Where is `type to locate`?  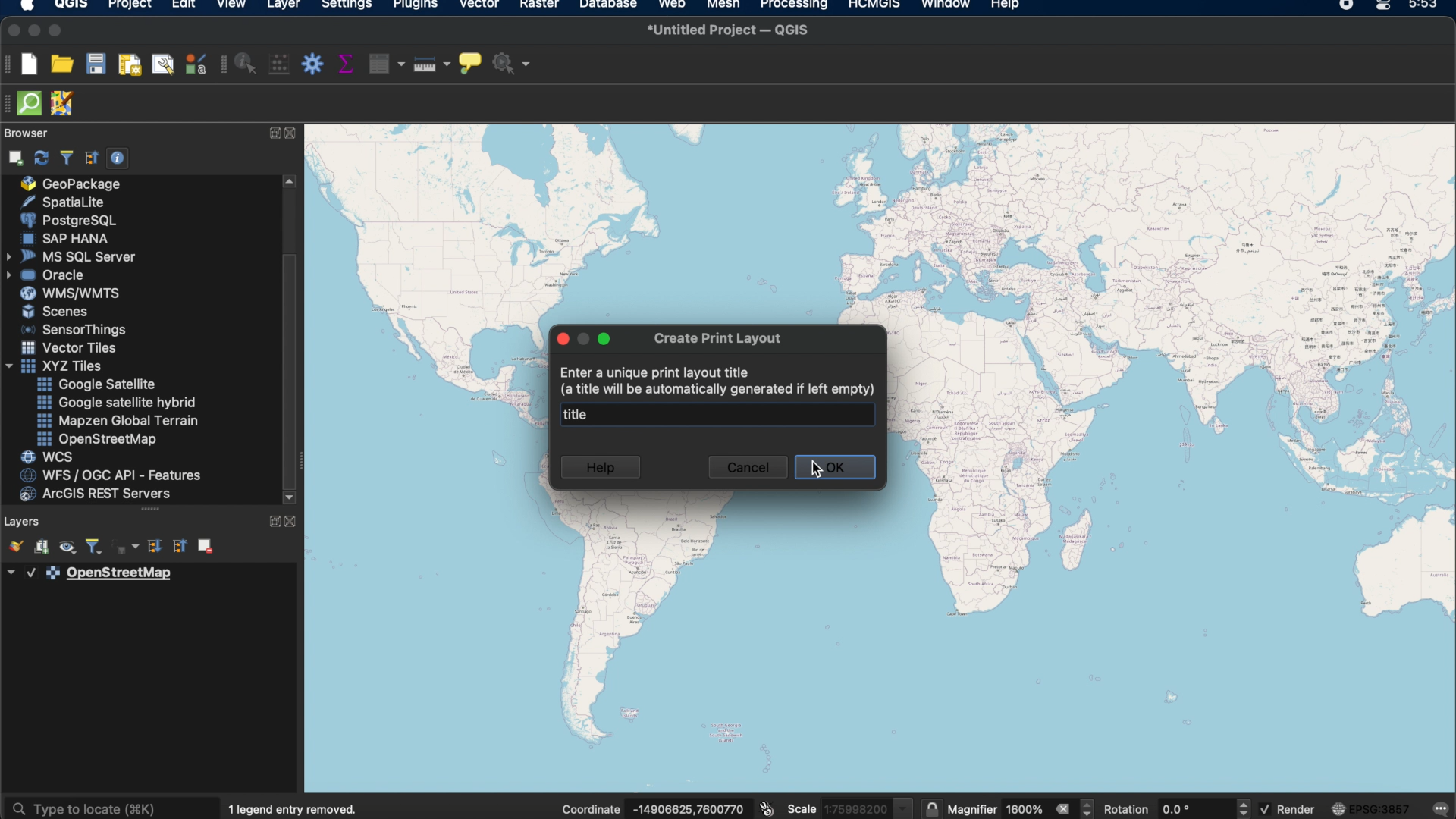
type to locate is located at coordinates (112, 805).